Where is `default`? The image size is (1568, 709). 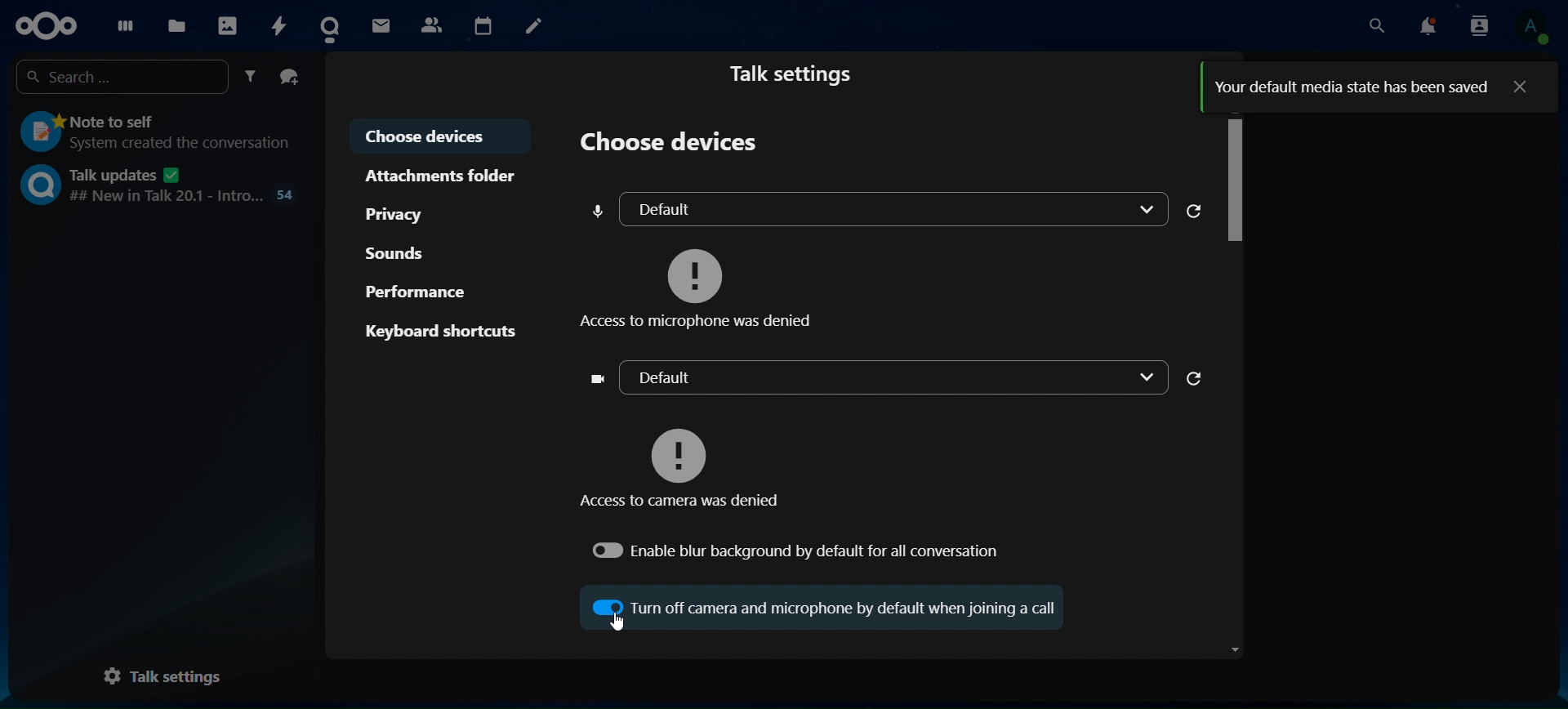
default is located at coordinates (880, 208).